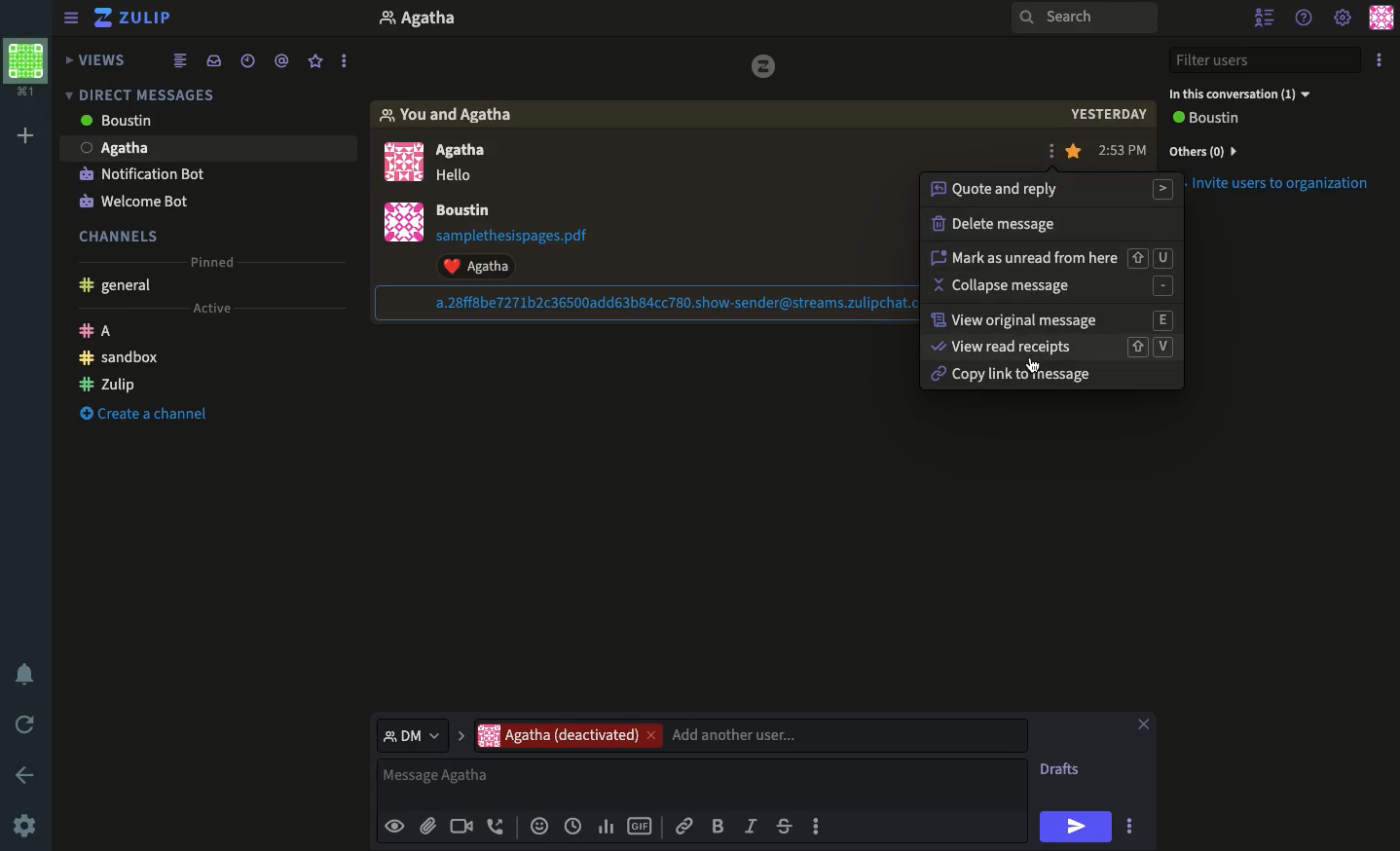  I want to click on Channels, so click(126, 234).